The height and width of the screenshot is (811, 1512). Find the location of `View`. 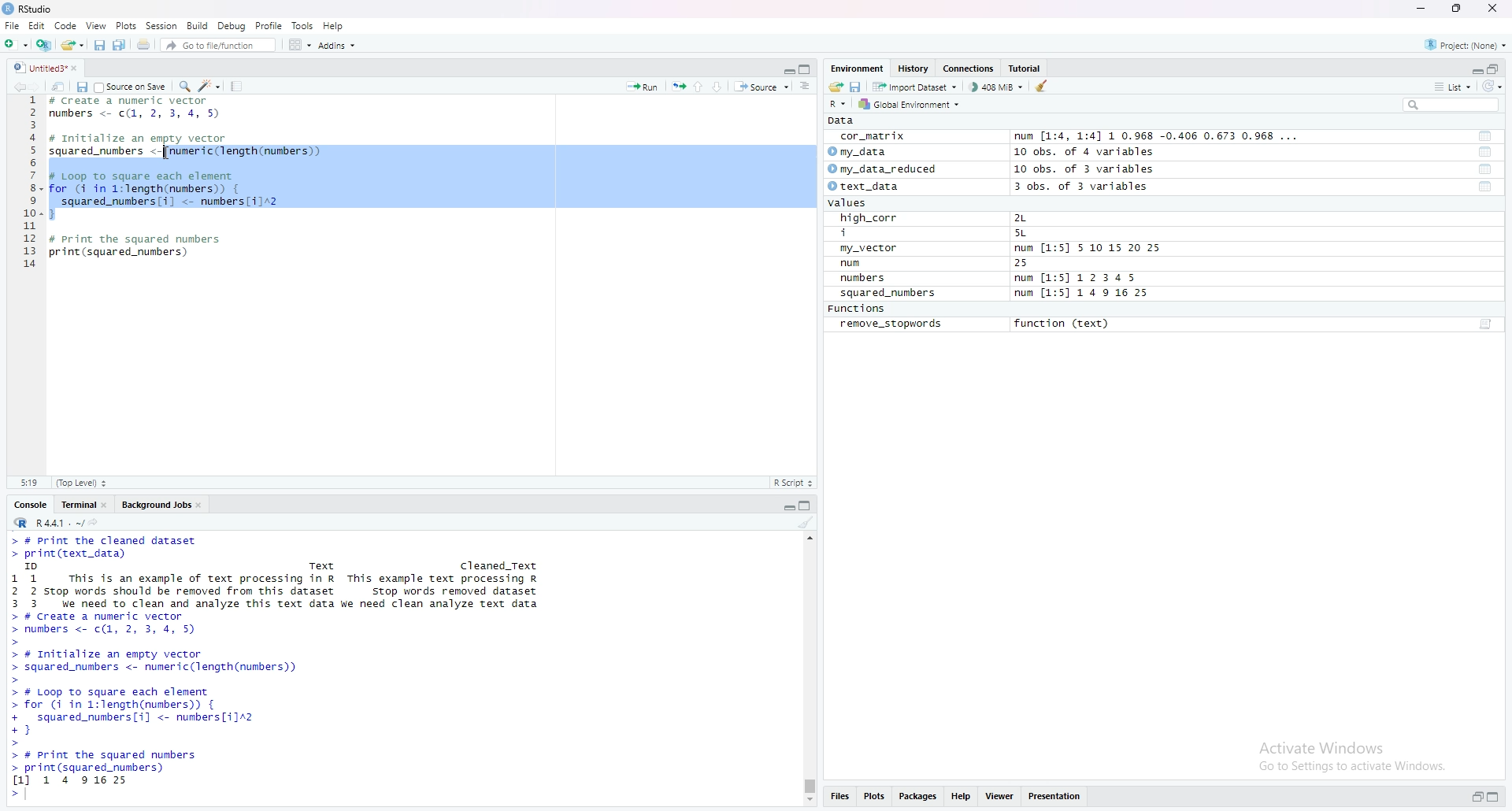

View is located at coordinates (96, 25).